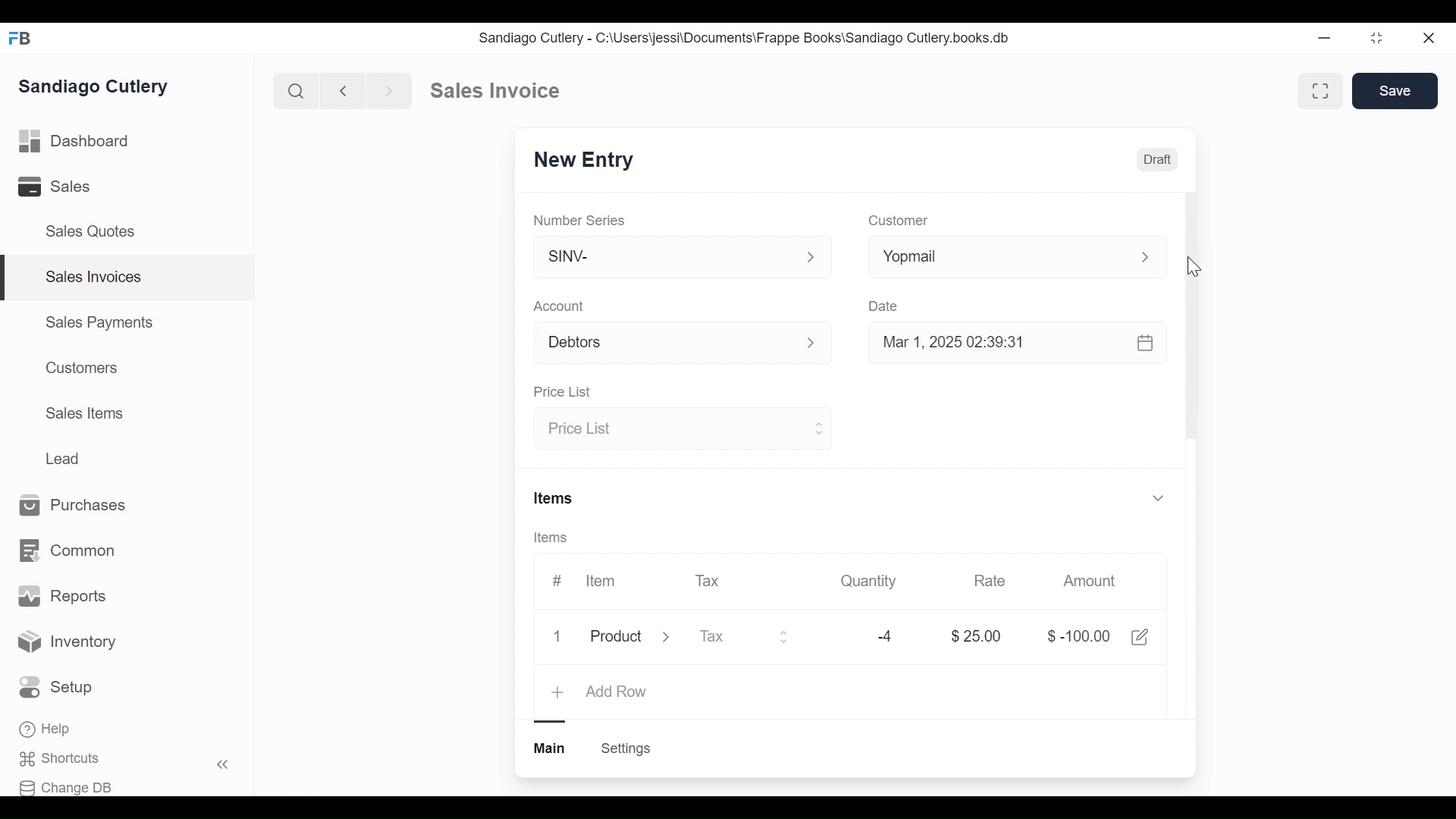  Describe the element at coordinates (391, 90) in the screenshot. I see `Next` at that location.